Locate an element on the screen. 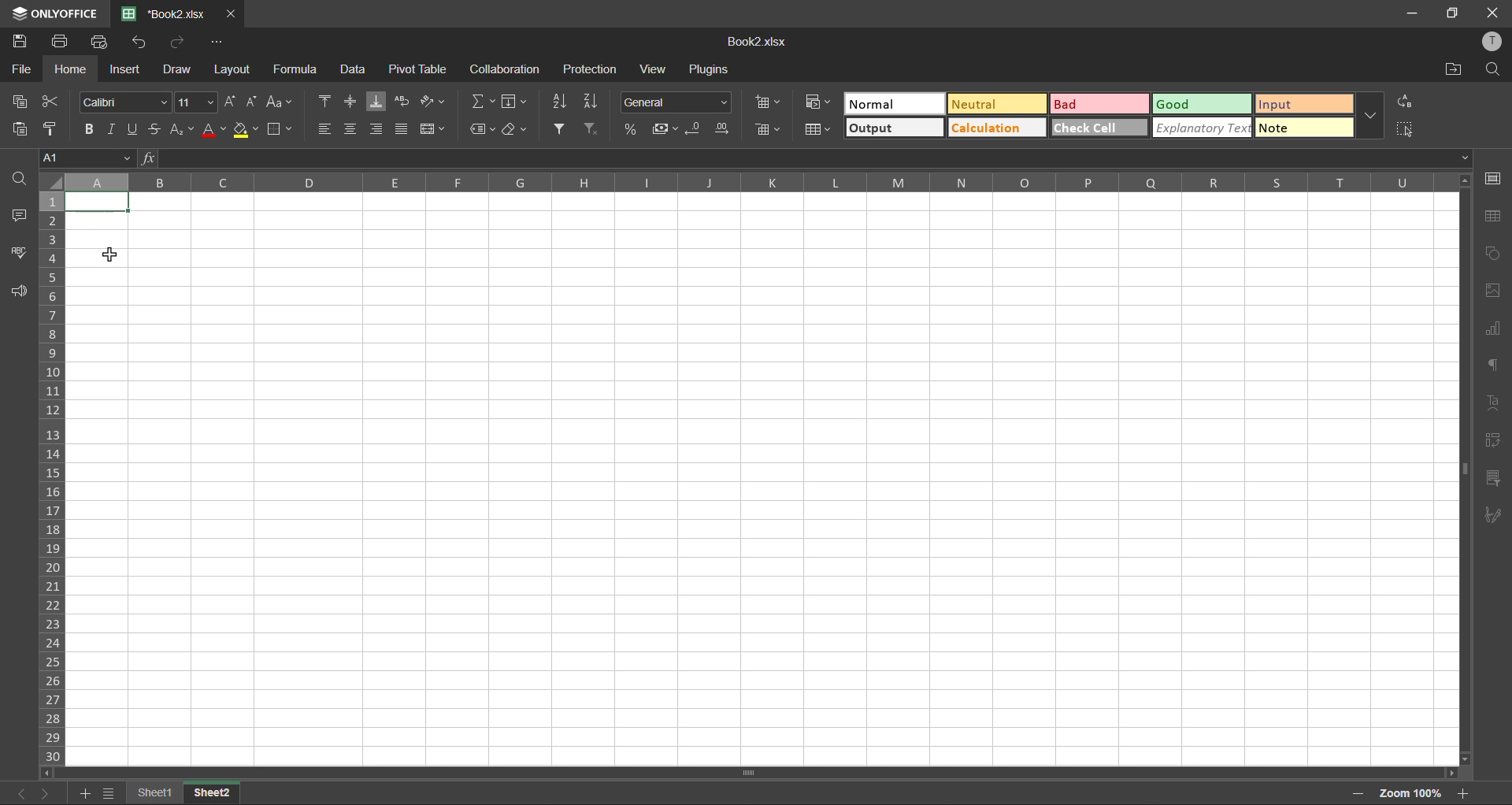 The height and width of the screenshot is (805, 1512). protection is located at coordinates (591, 69).